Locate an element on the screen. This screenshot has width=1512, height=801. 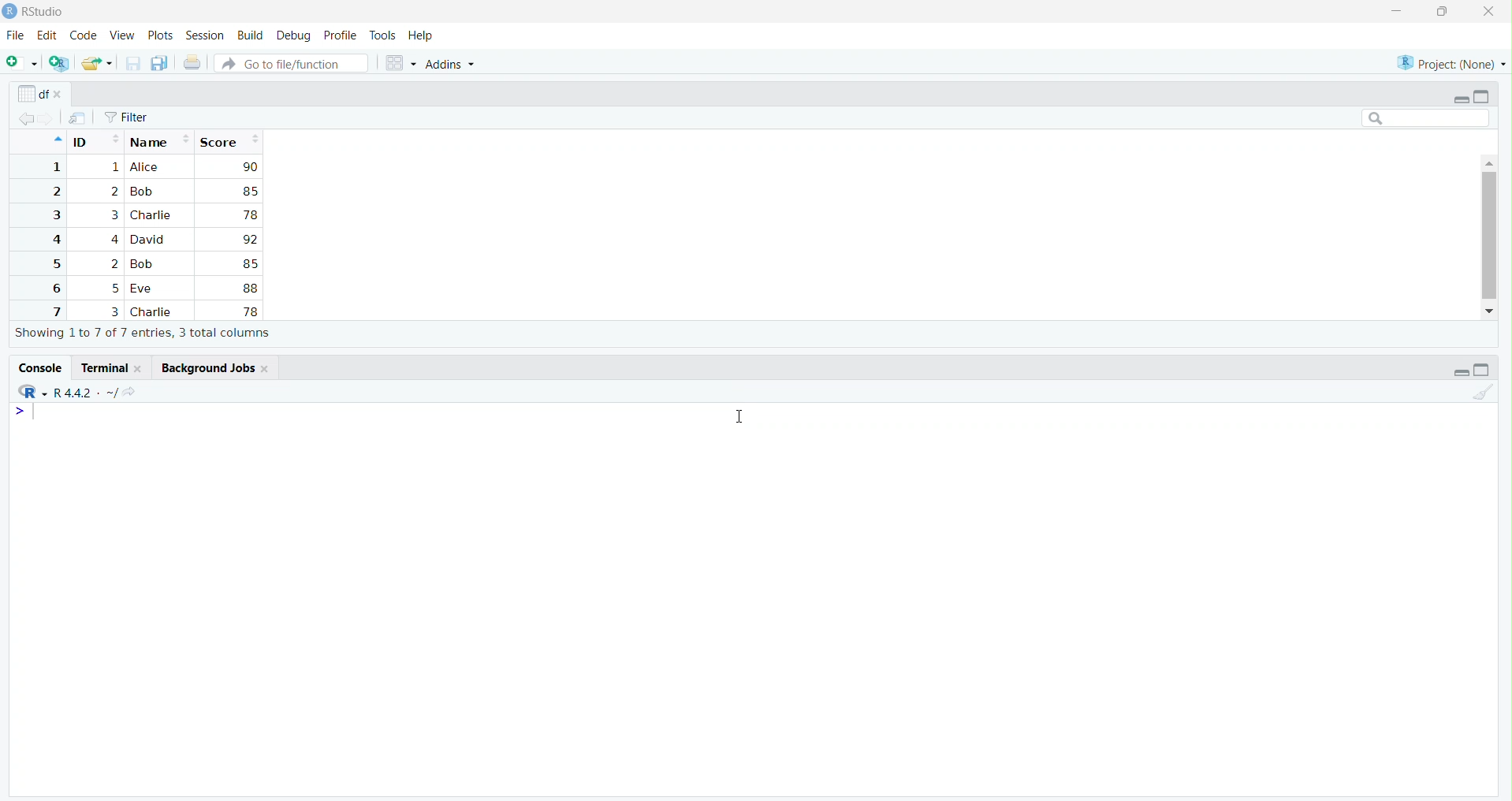
back is located at coordinates (26, 119).